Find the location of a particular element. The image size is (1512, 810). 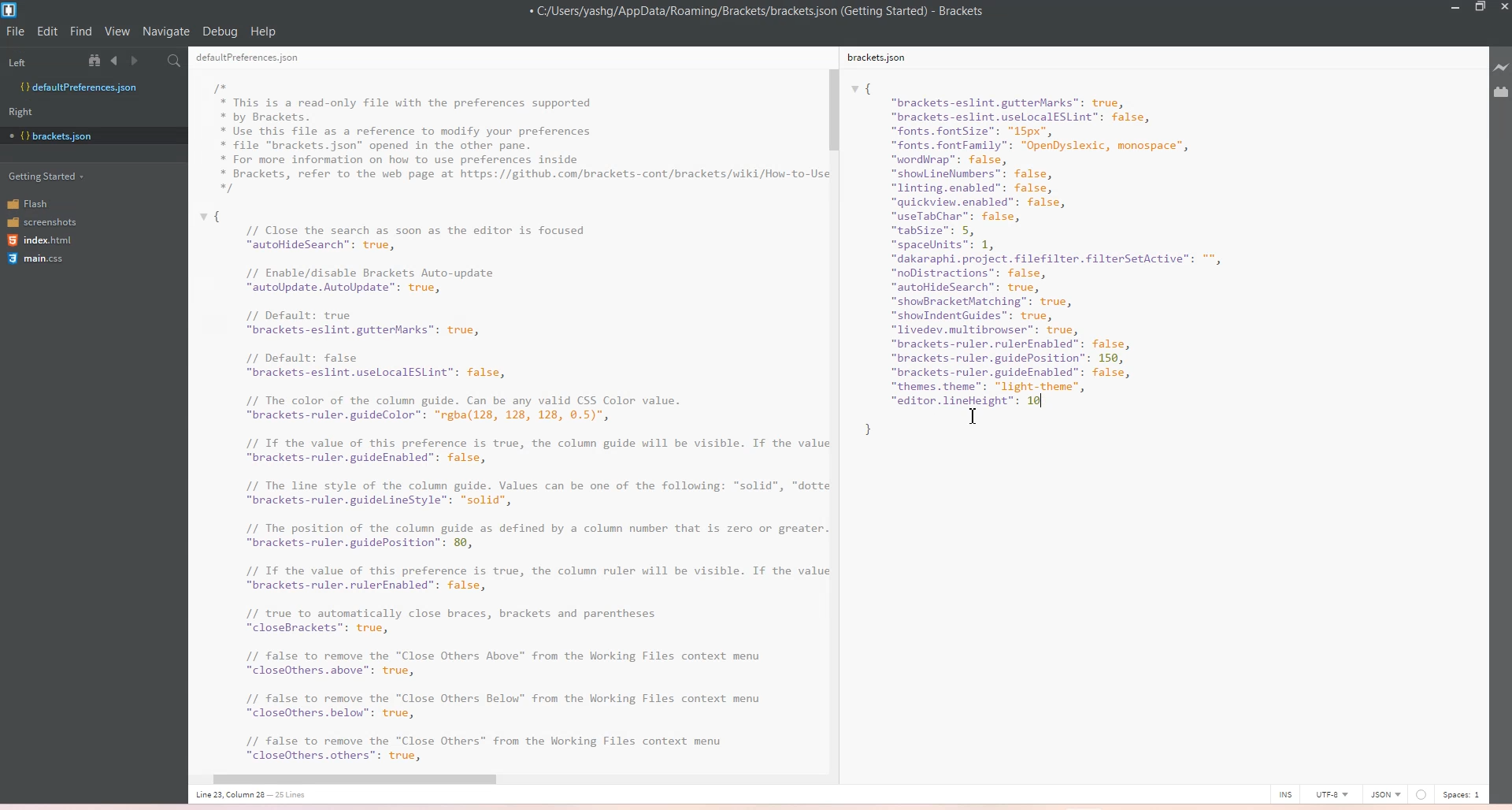

Screenshots is located at coordinates (42, 221).